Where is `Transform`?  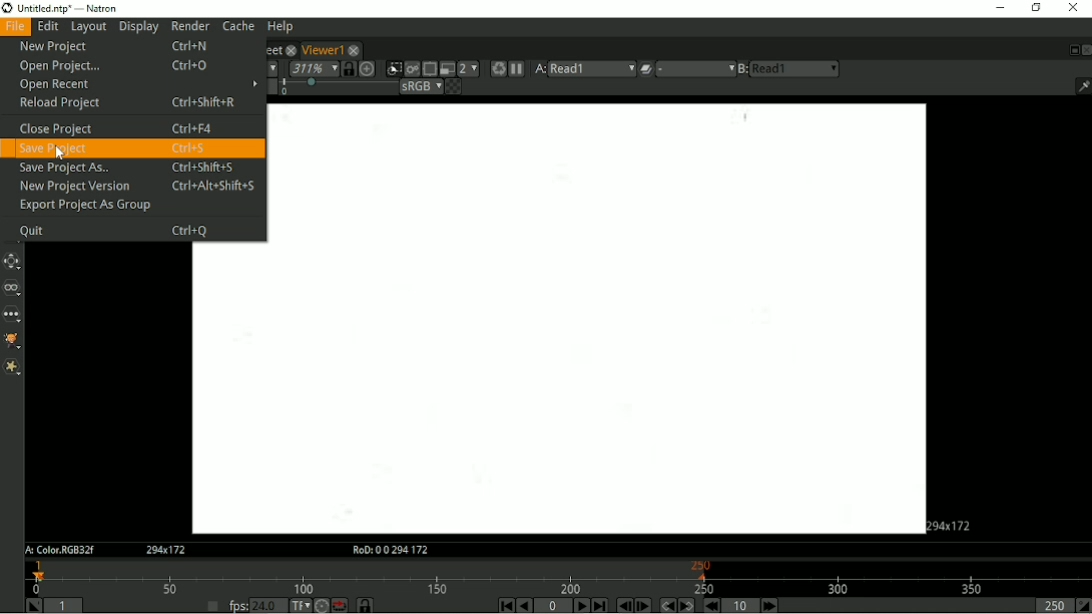
Transform is located at coordinates (12, 262).